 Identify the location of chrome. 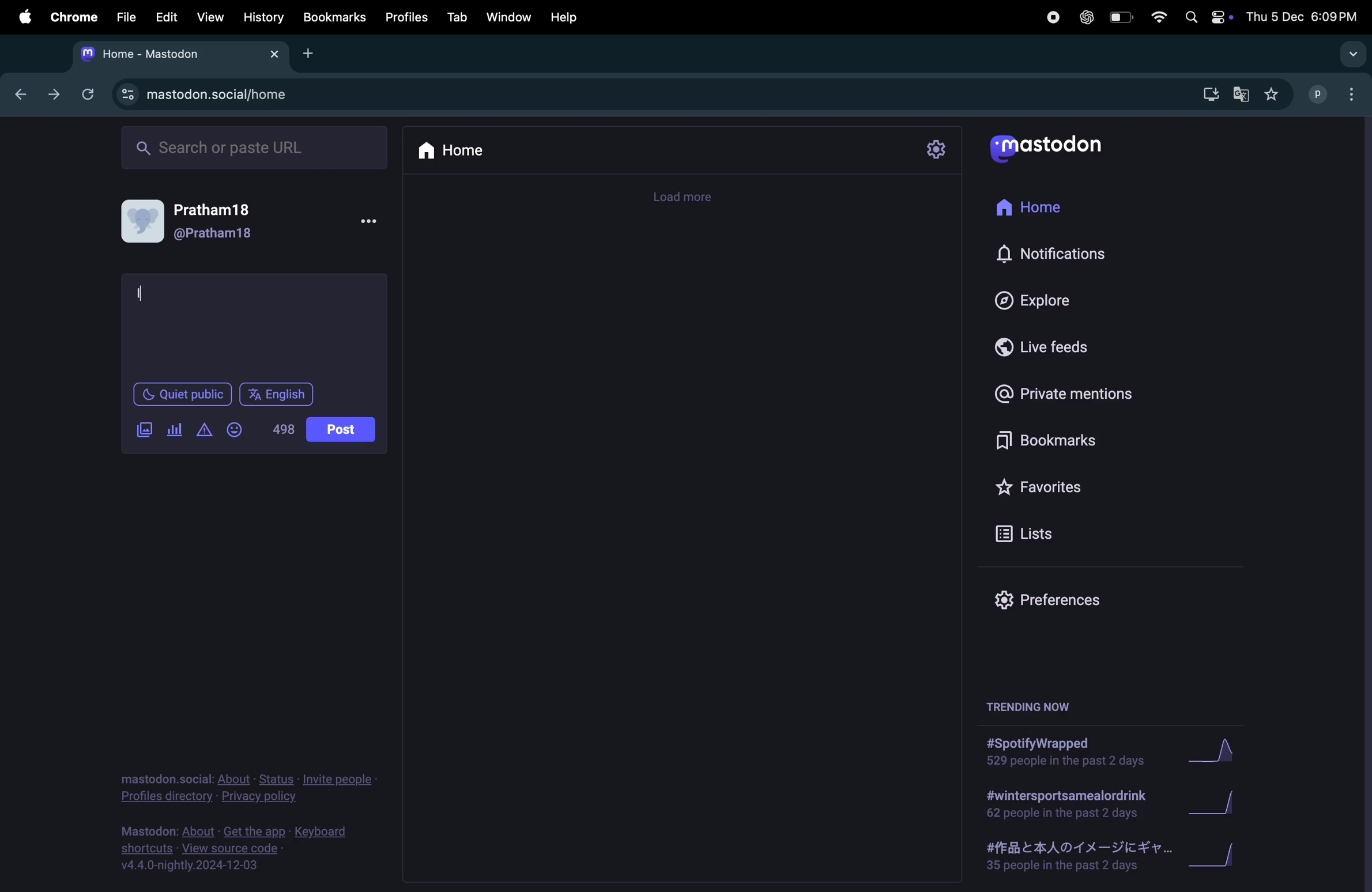
(70, 16).